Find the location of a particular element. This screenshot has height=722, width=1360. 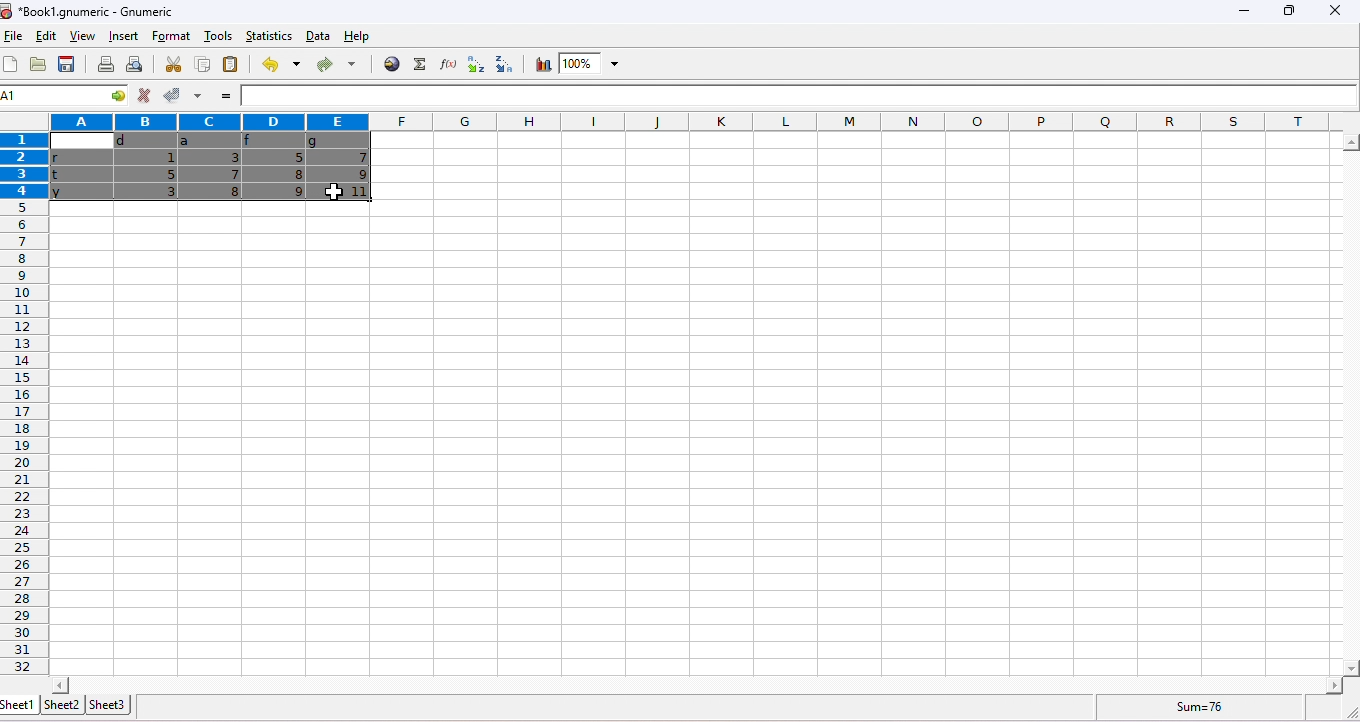

sort ascending is located at coordinates (472, 65).